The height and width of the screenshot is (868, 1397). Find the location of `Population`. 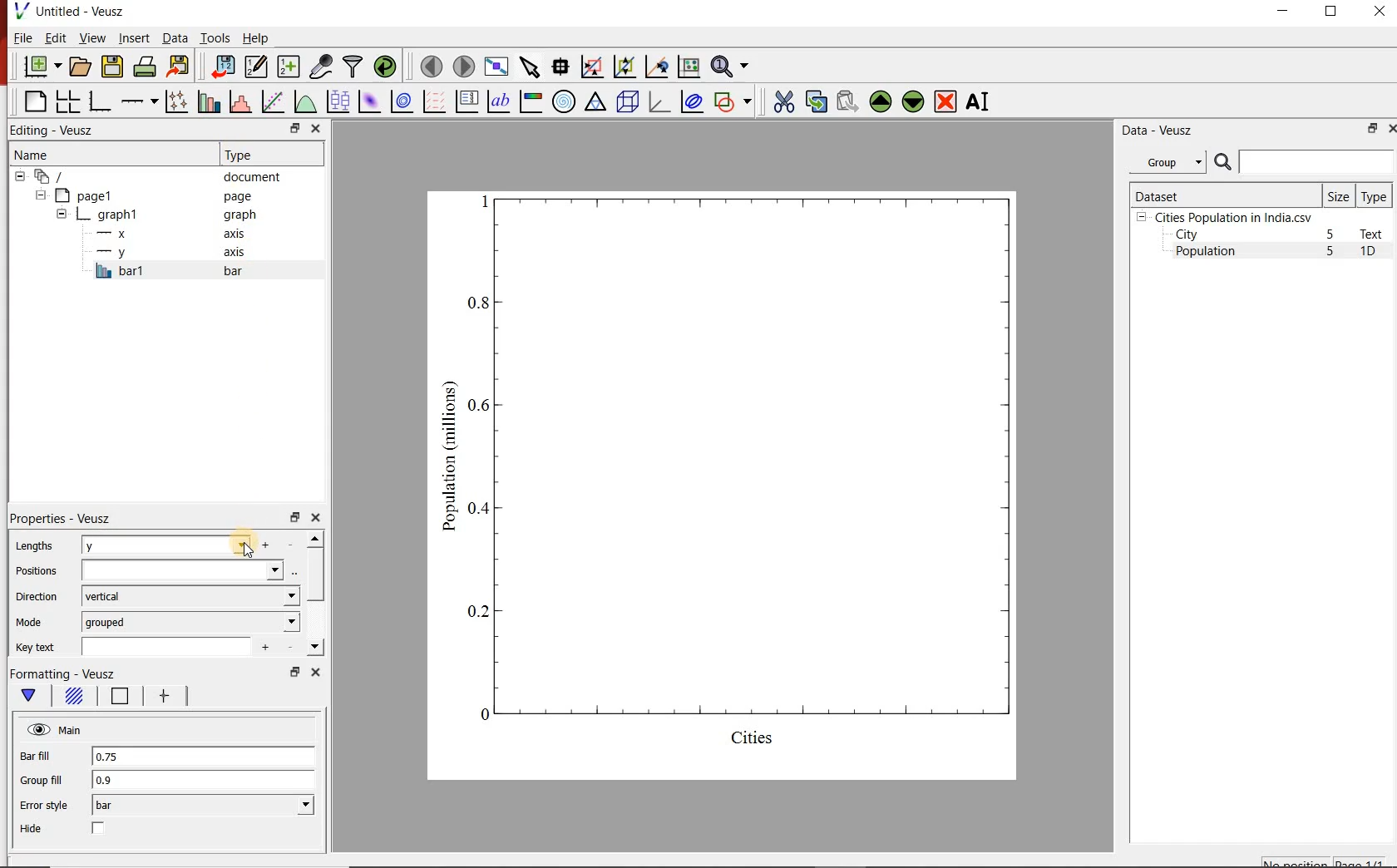

Population is located at coordinates (1206, 253).